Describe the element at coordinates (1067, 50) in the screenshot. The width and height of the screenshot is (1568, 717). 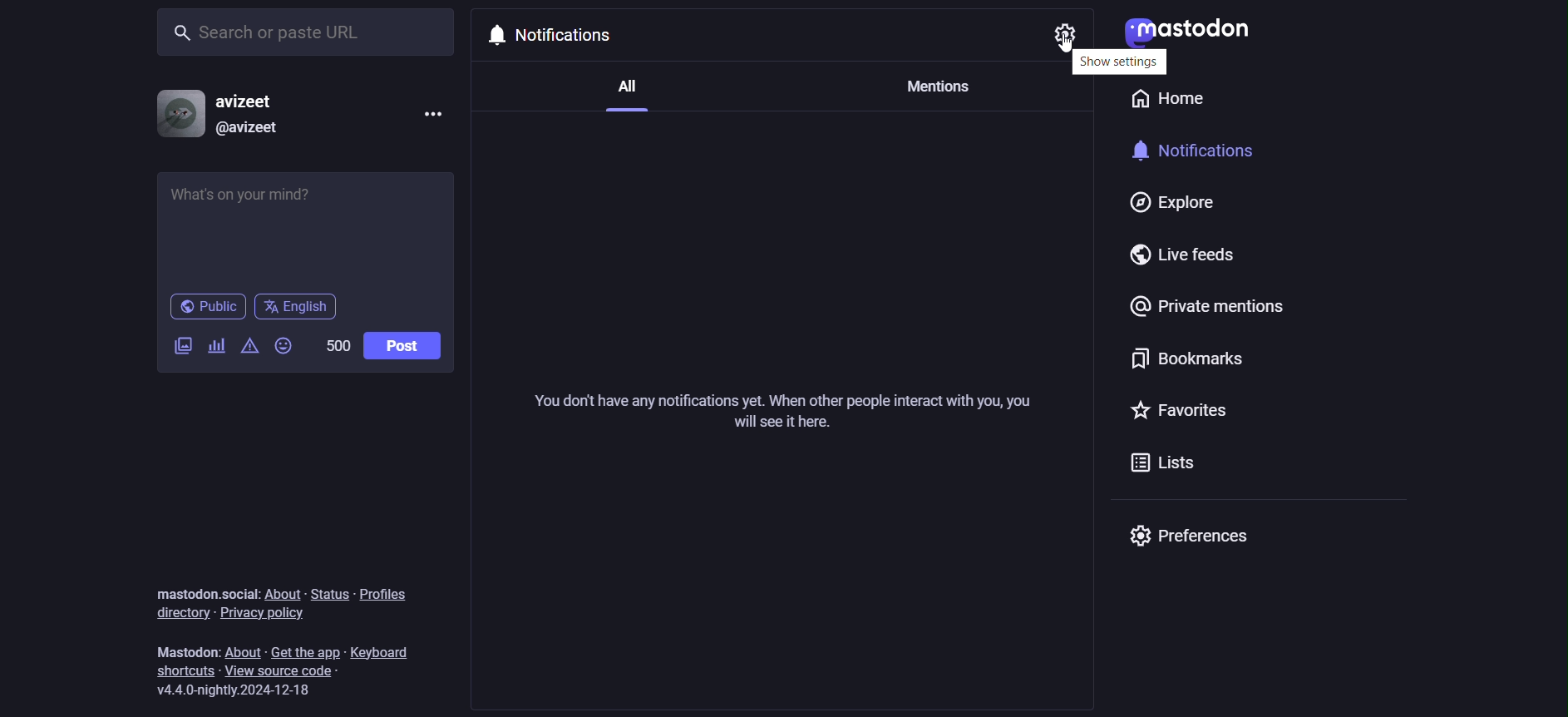
I see `Cursor` at that location.